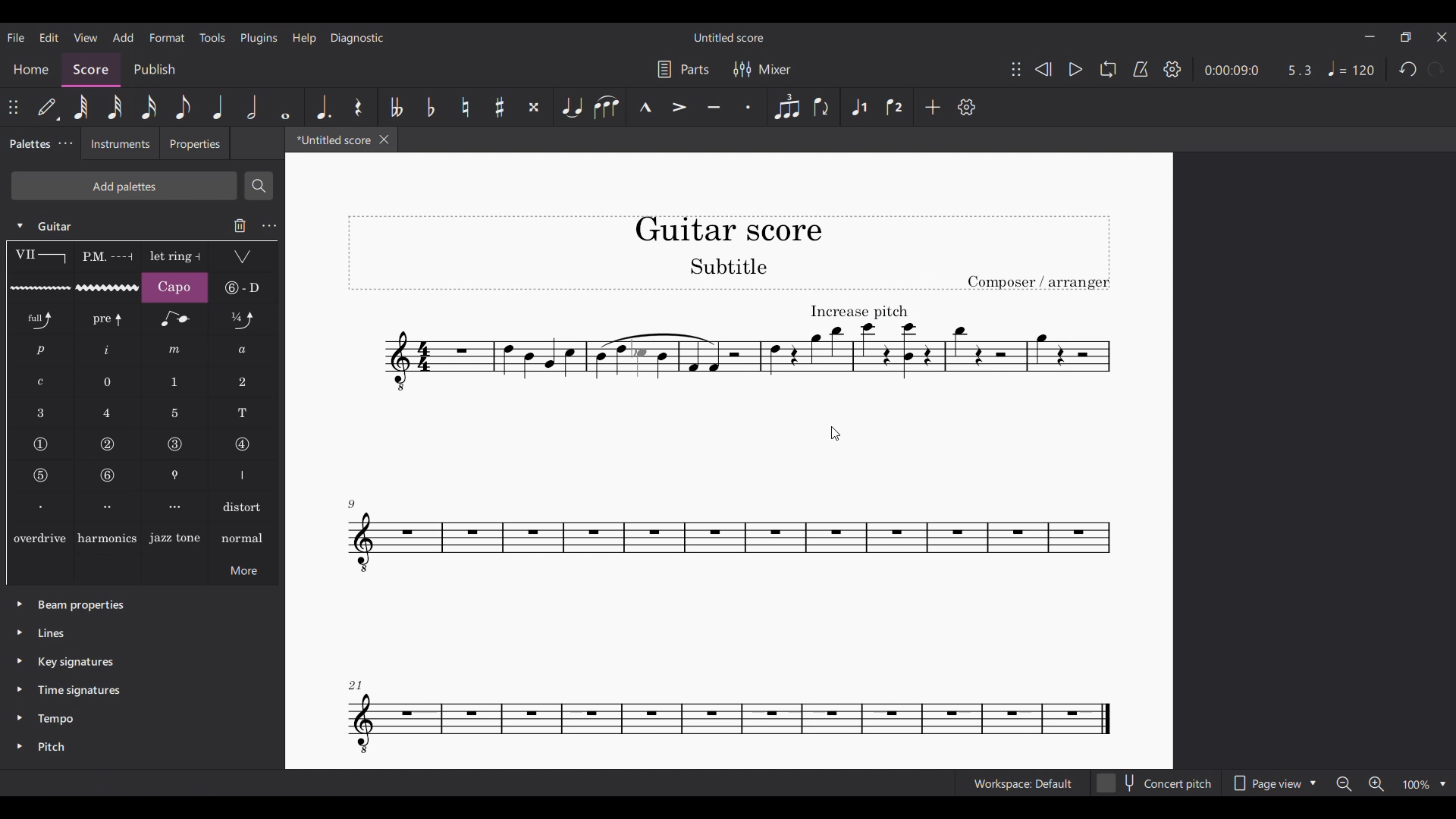 This screenshot has width=1456, height=819. Describe the element at coordinates (242, 445) in the screenshot. I see `String number 4` at that location.